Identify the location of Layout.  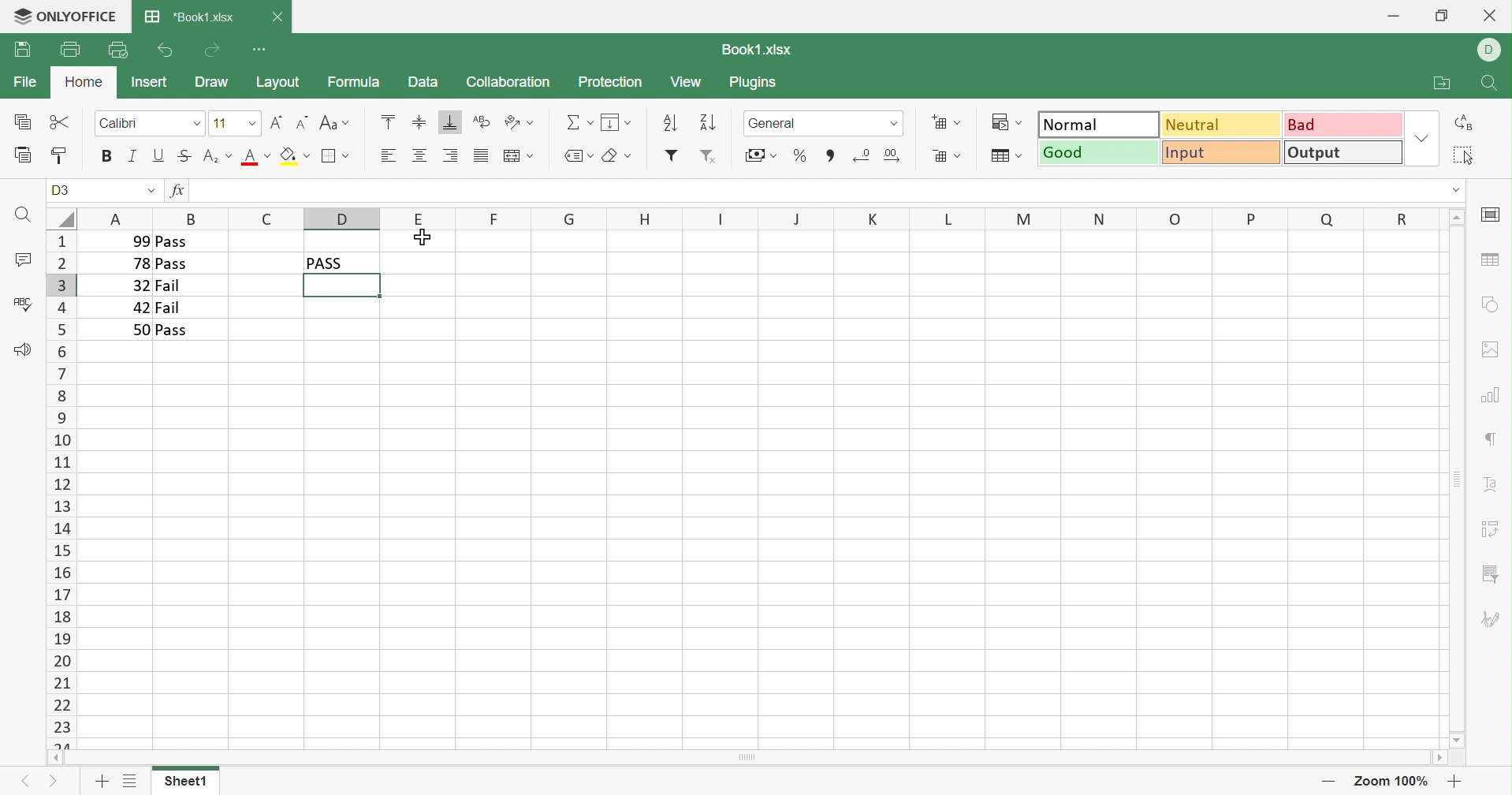
(278, 82).